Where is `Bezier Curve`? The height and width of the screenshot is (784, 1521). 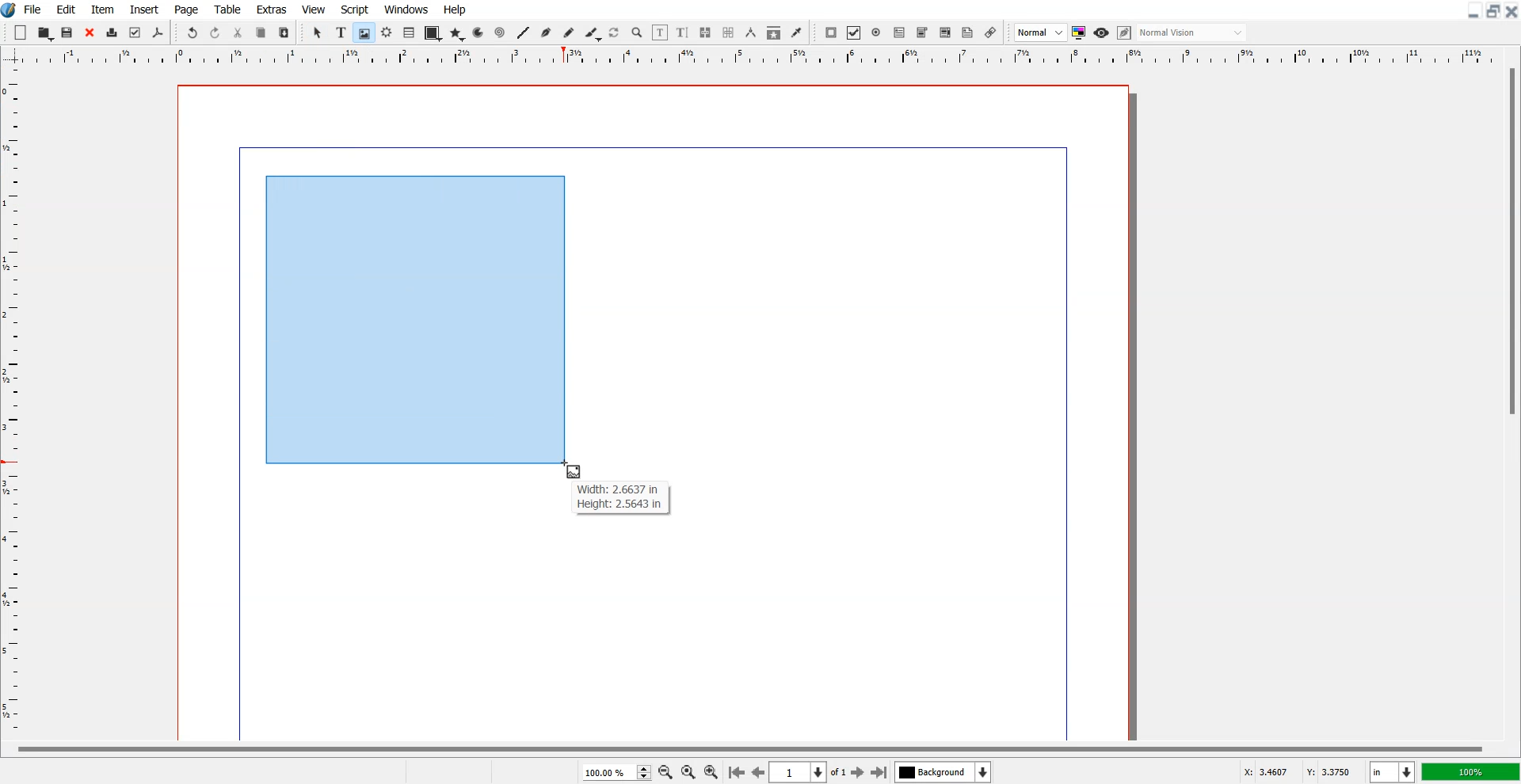 Bezier Curve is located at coordinates (546, 32).